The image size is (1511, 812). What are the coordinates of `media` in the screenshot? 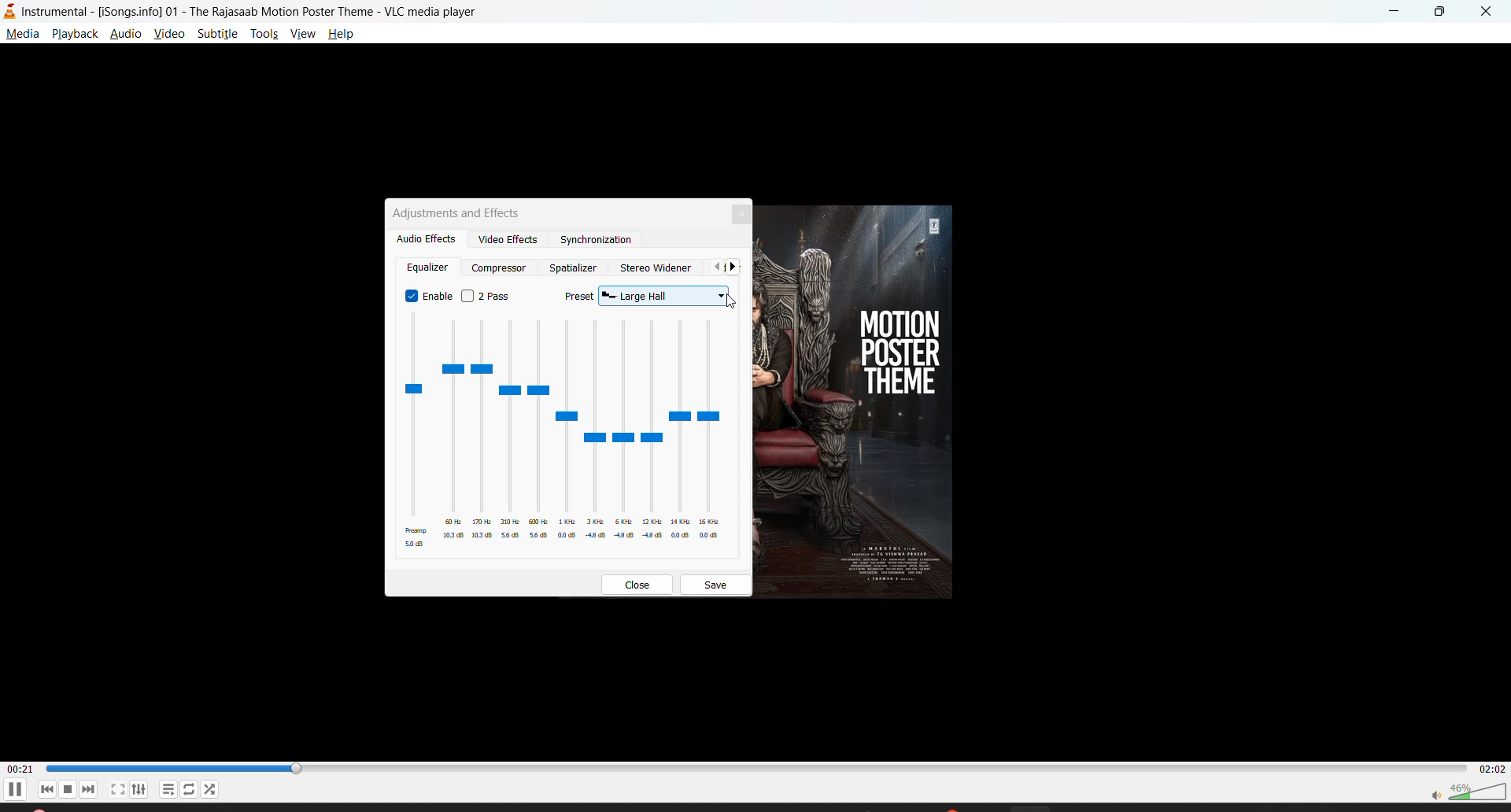 It's located at (22, 35).